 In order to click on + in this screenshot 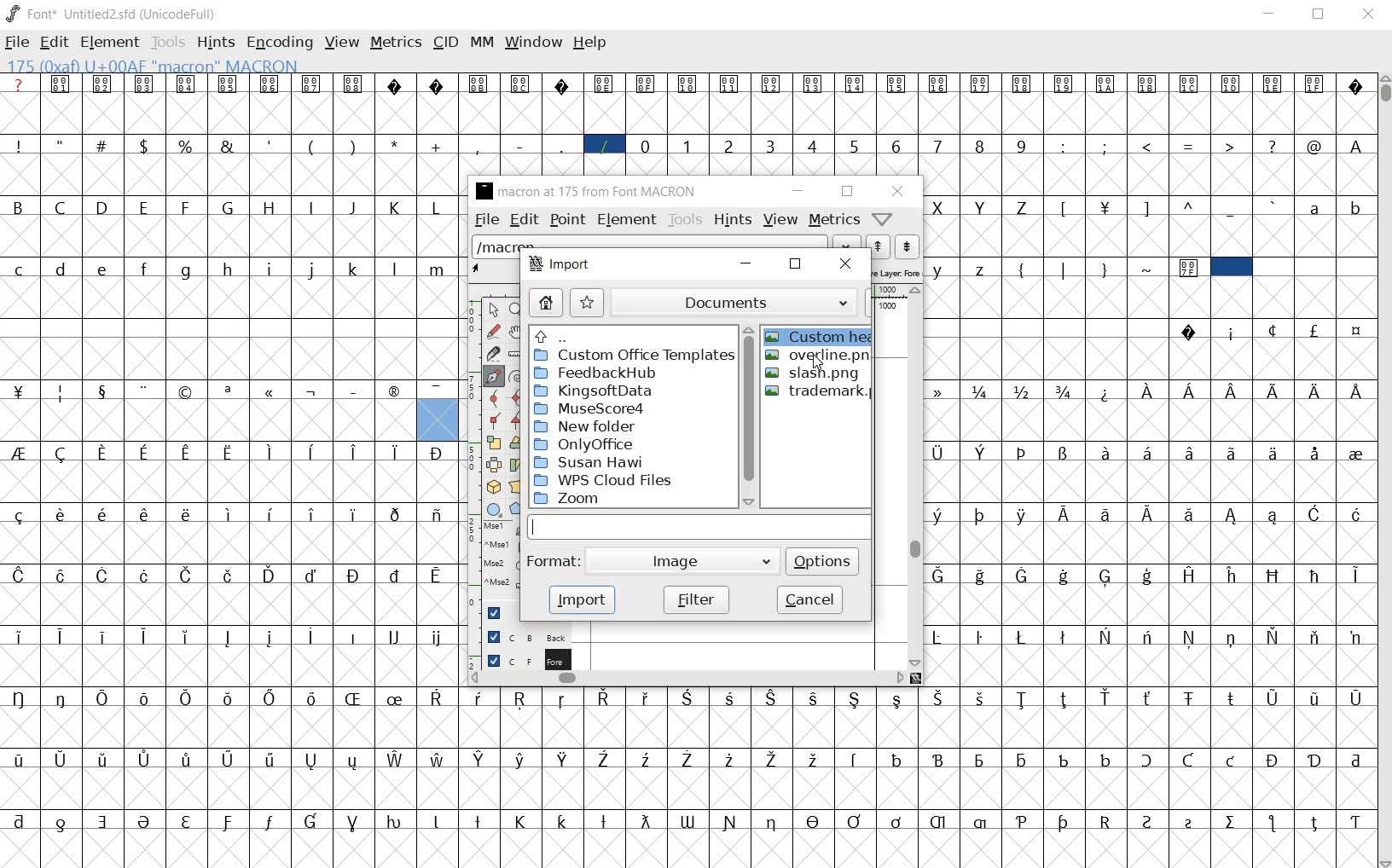, I will do `click(438, 145)`.